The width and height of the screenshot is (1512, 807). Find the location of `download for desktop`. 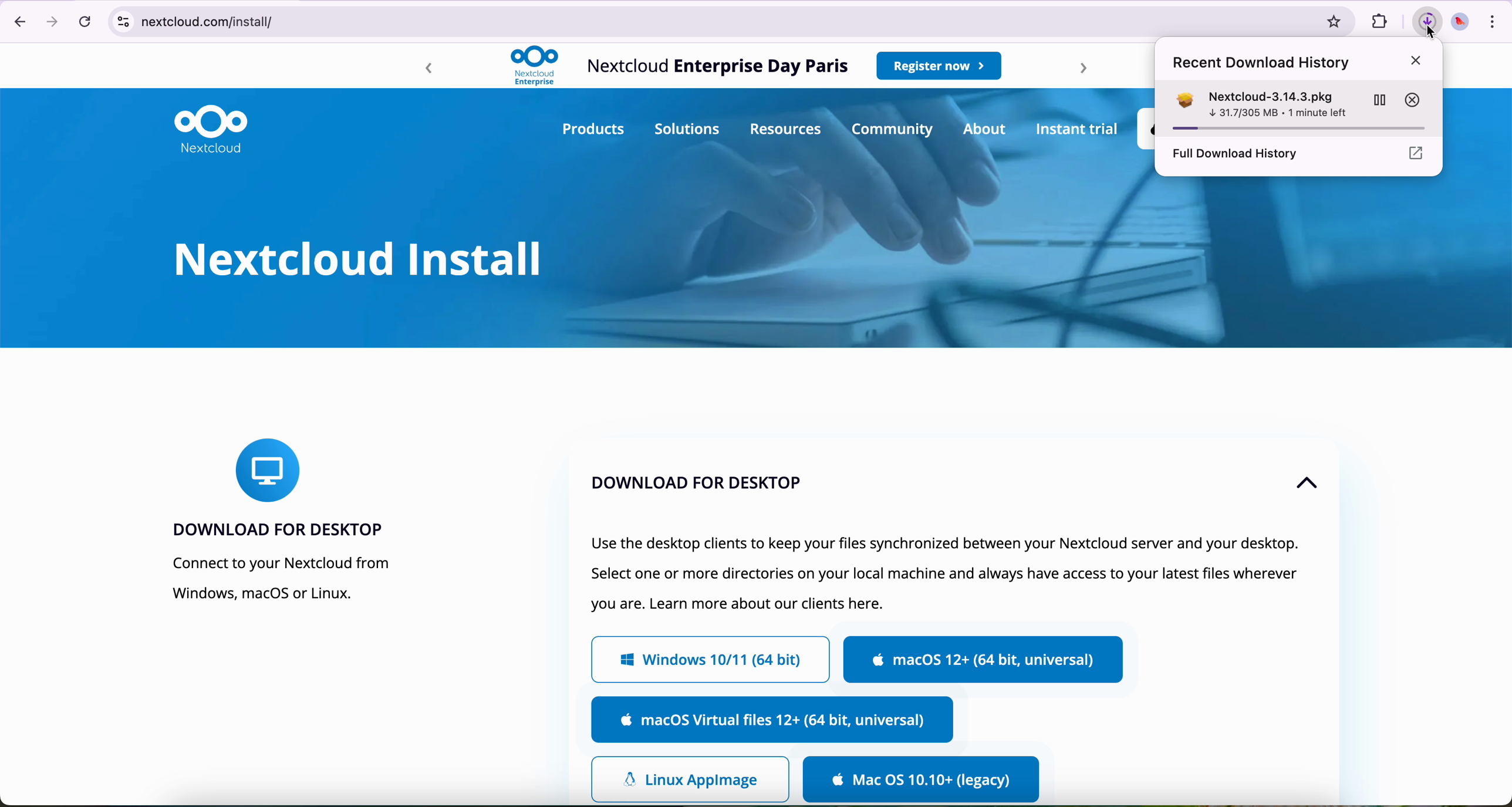

download for desktop is located at coordinates (277, 528).